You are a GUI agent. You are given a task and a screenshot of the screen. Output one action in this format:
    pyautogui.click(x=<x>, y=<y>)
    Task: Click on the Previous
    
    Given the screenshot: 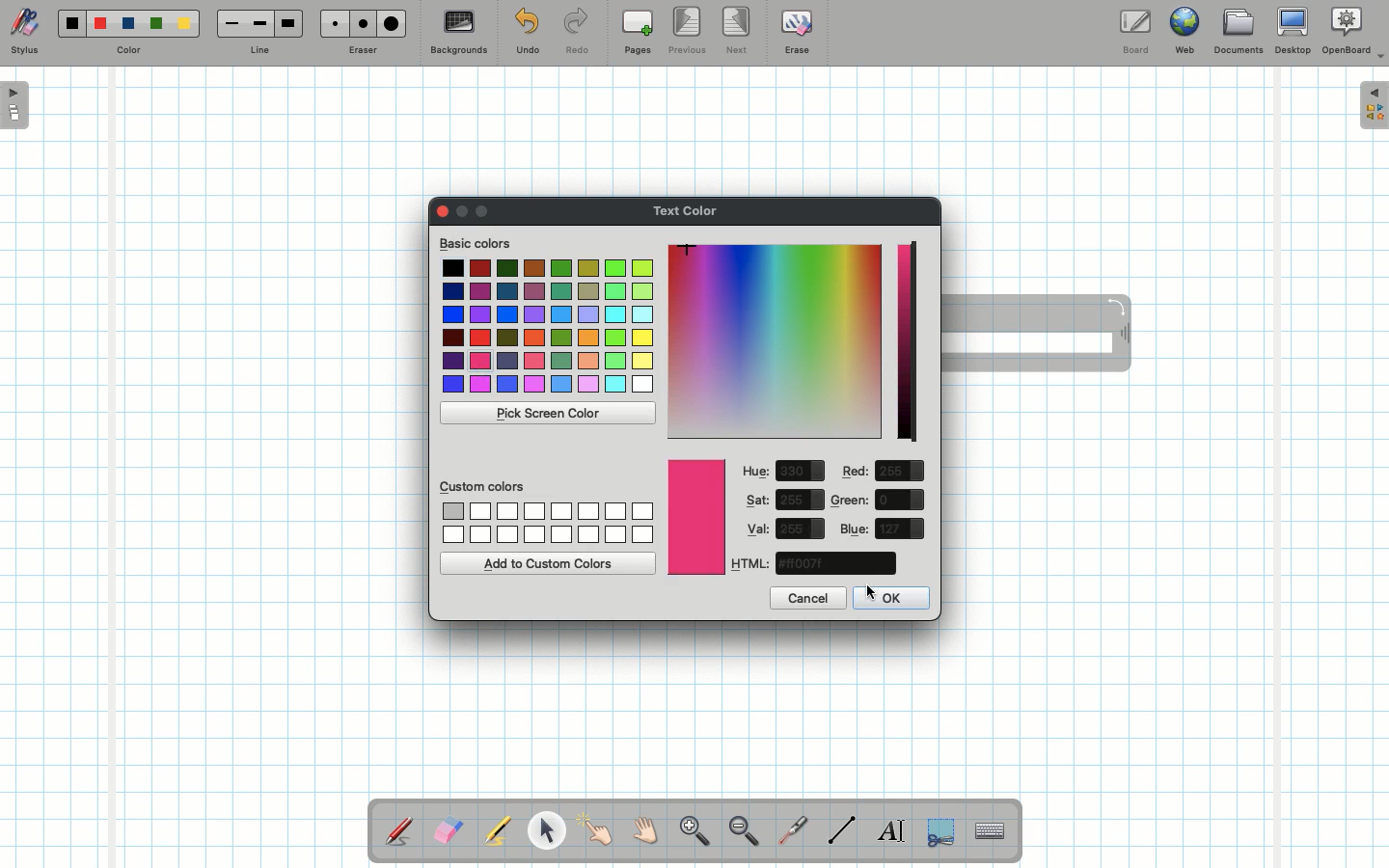 What is the action you would take?
    pyautogui.click(x=689, y=32)
    